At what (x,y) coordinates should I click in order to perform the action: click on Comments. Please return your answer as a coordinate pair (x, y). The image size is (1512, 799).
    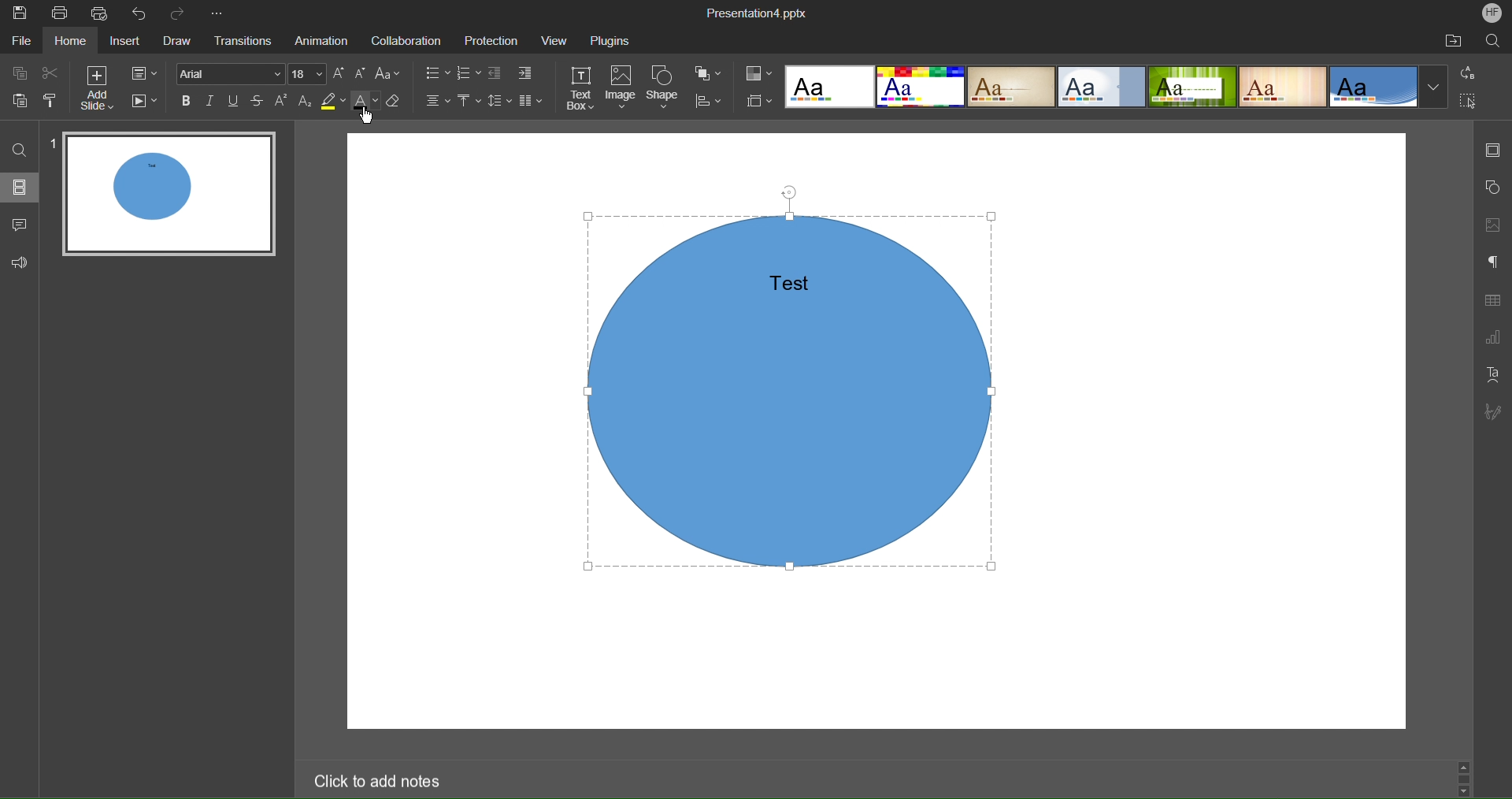
    Looking at the image, I should click on (24, 225).